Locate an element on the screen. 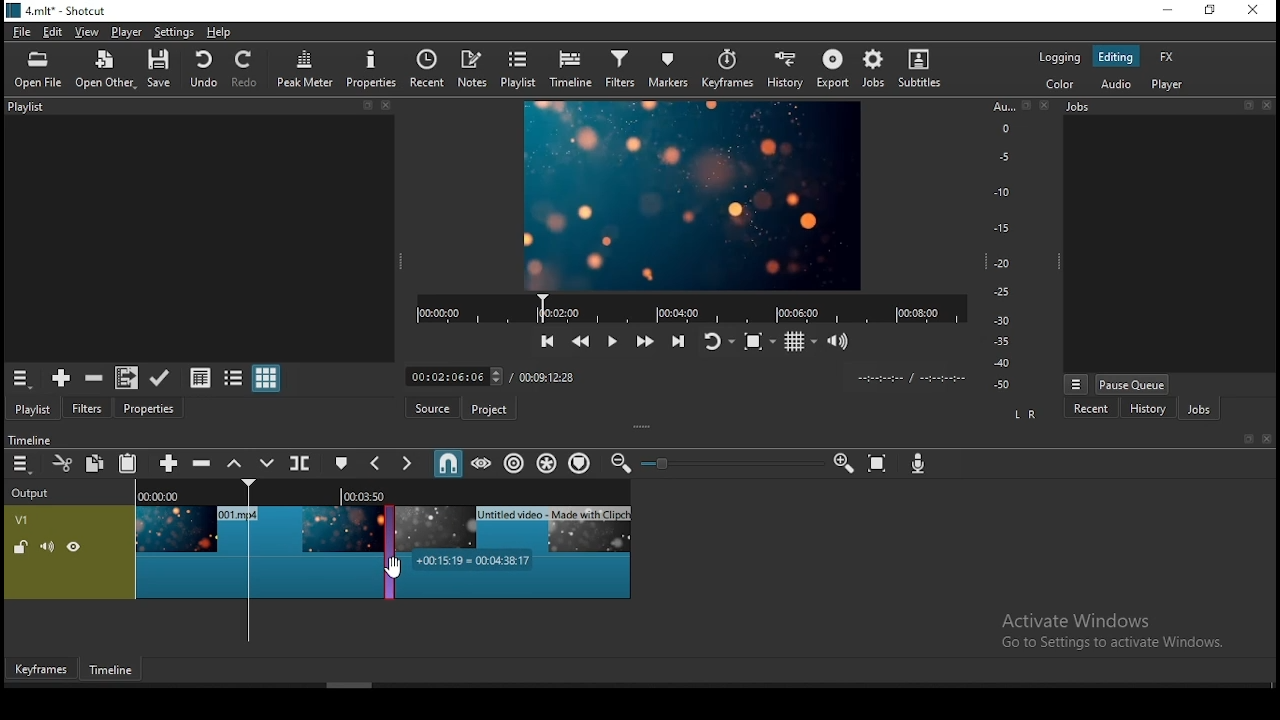 The image size is (1280, 720). toggle zoom is located at coordinates (758, 342).